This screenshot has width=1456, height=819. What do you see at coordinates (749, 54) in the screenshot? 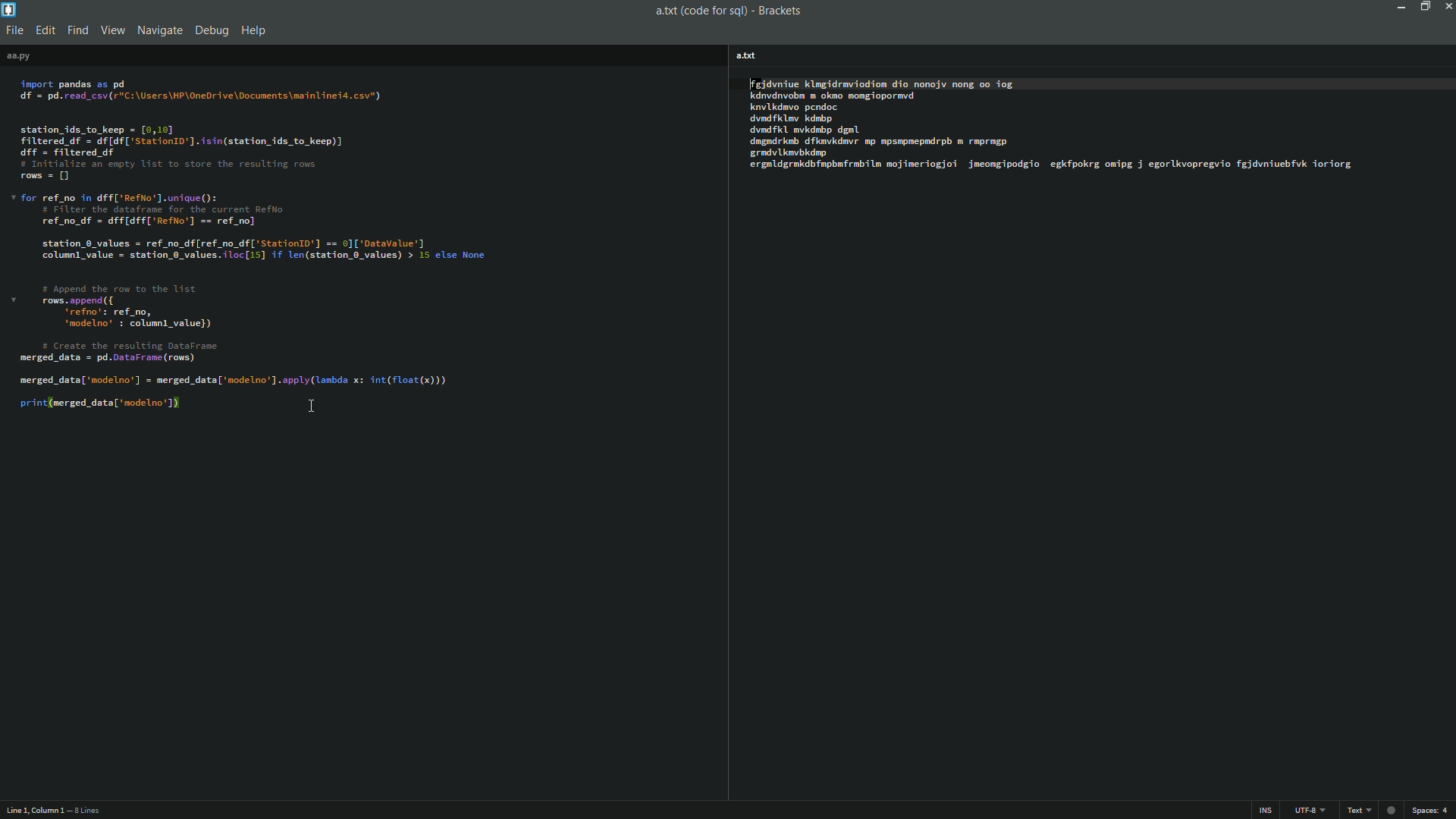
I see `file name` at bounding box center [749, 54].